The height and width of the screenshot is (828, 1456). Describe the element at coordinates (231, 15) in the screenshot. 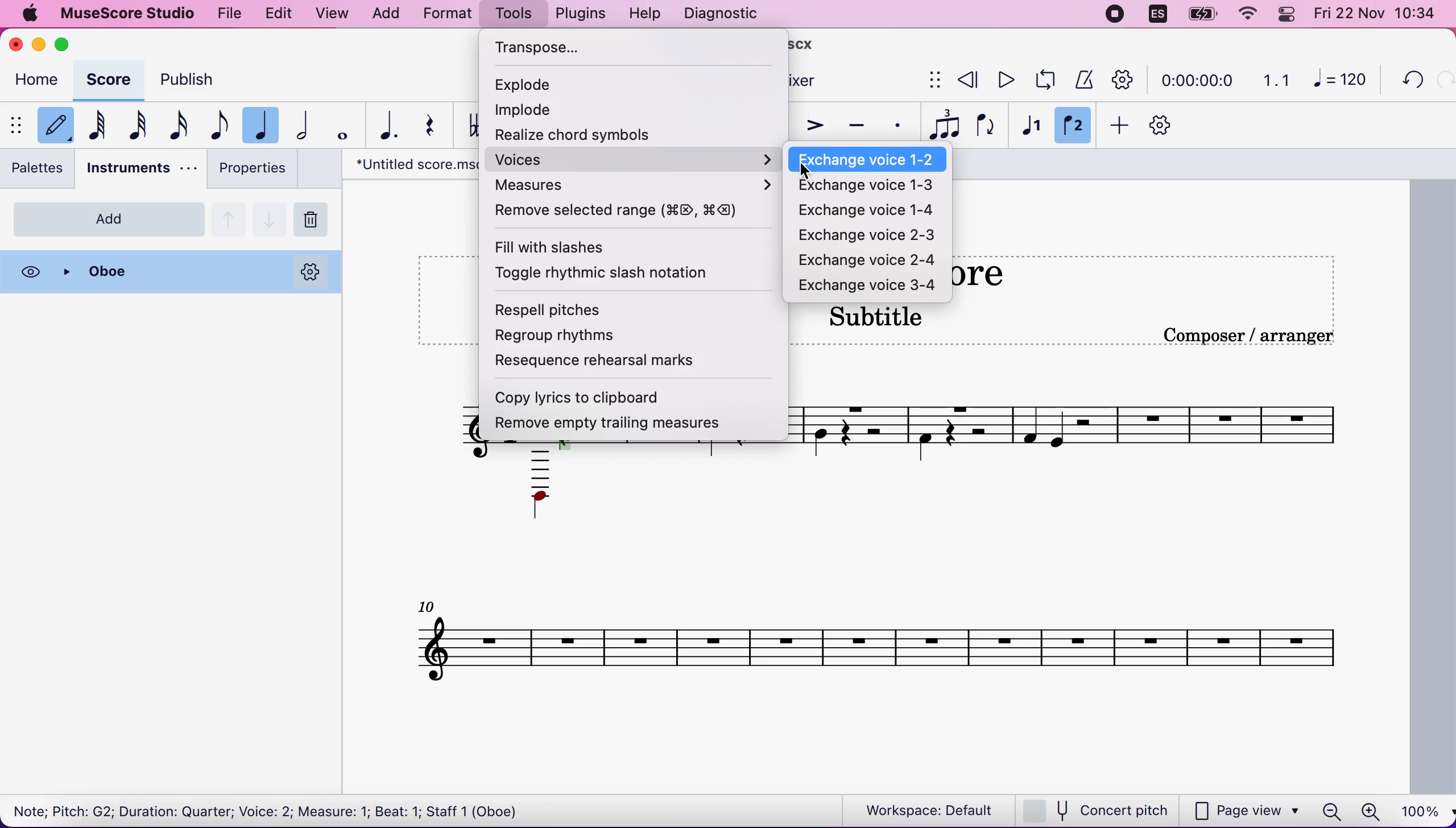

I see `file` at that location.